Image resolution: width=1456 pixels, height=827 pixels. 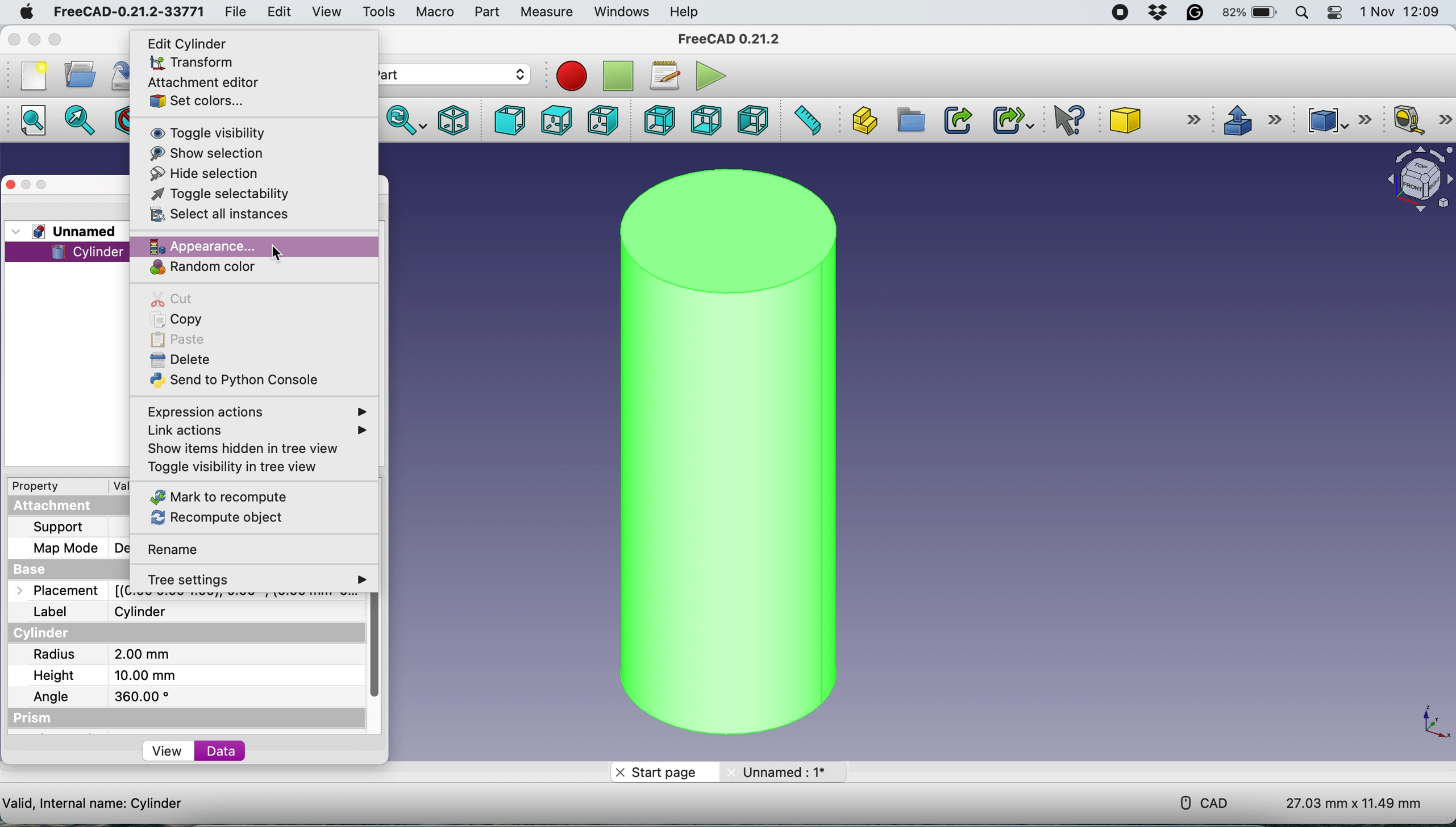 What do you see at coordinates (35, 40) in the screenshot?
I see `minimise` at bounding box center [35, 40].